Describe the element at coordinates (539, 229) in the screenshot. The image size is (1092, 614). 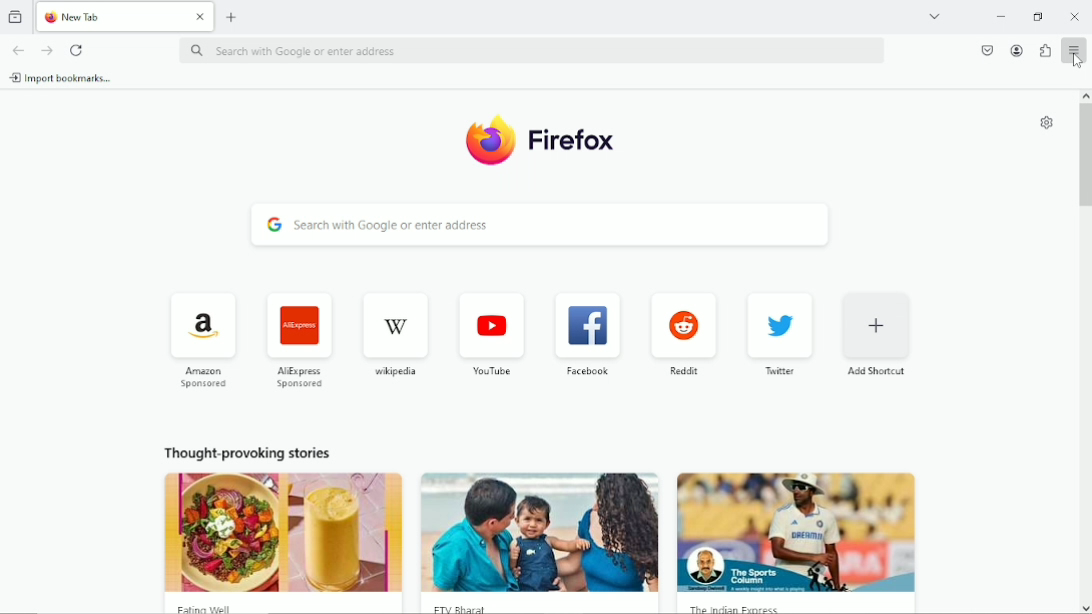
I see `search with Google or enter address` at that location.